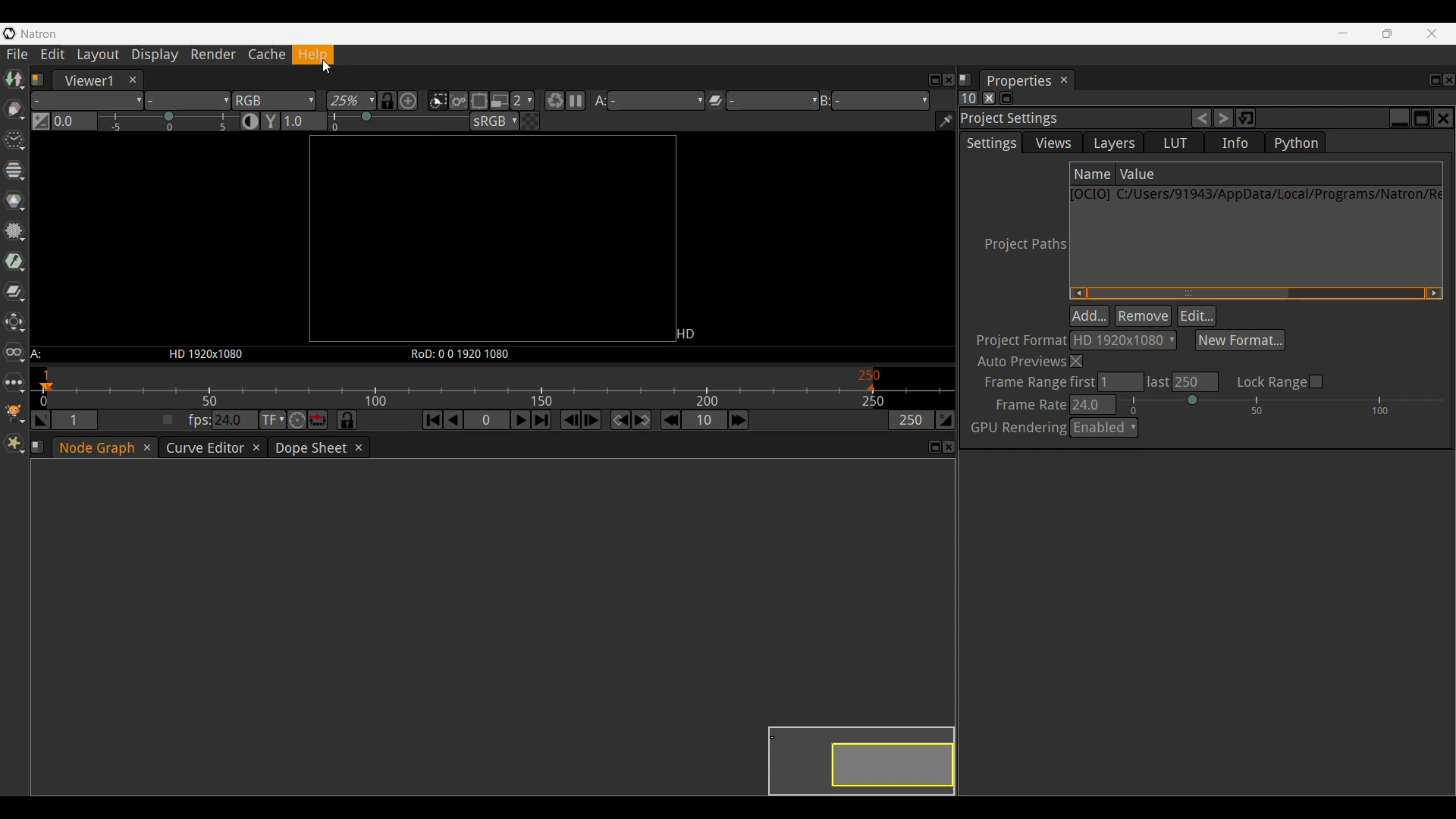  I want to click on fps: 24.0, so click(222, 419).